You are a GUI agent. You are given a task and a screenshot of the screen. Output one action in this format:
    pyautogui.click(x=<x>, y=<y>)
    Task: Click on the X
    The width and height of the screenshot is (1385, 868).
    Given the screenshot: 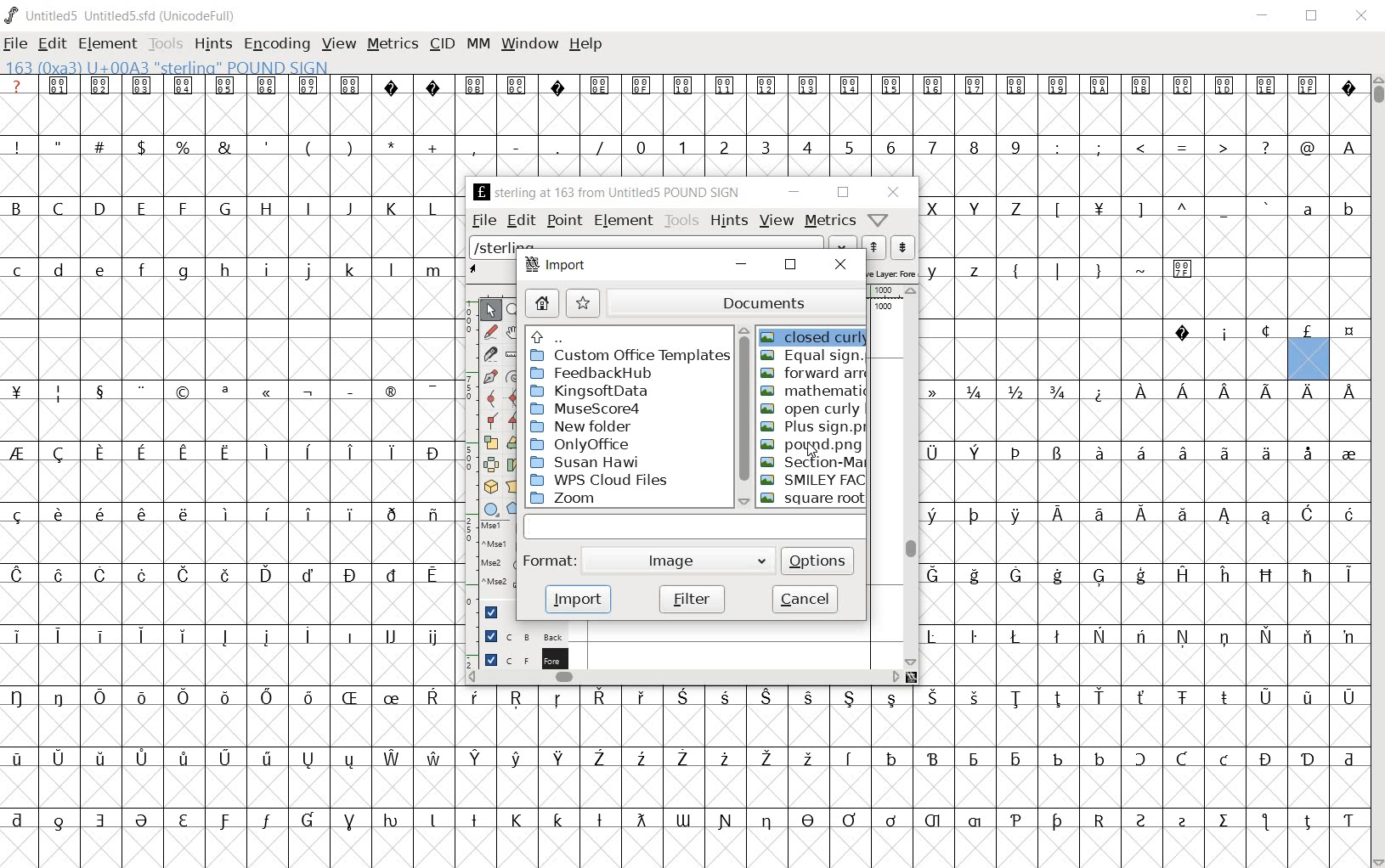 What is the action you would take?
    pyautogui.click(x=936, y=208)
    